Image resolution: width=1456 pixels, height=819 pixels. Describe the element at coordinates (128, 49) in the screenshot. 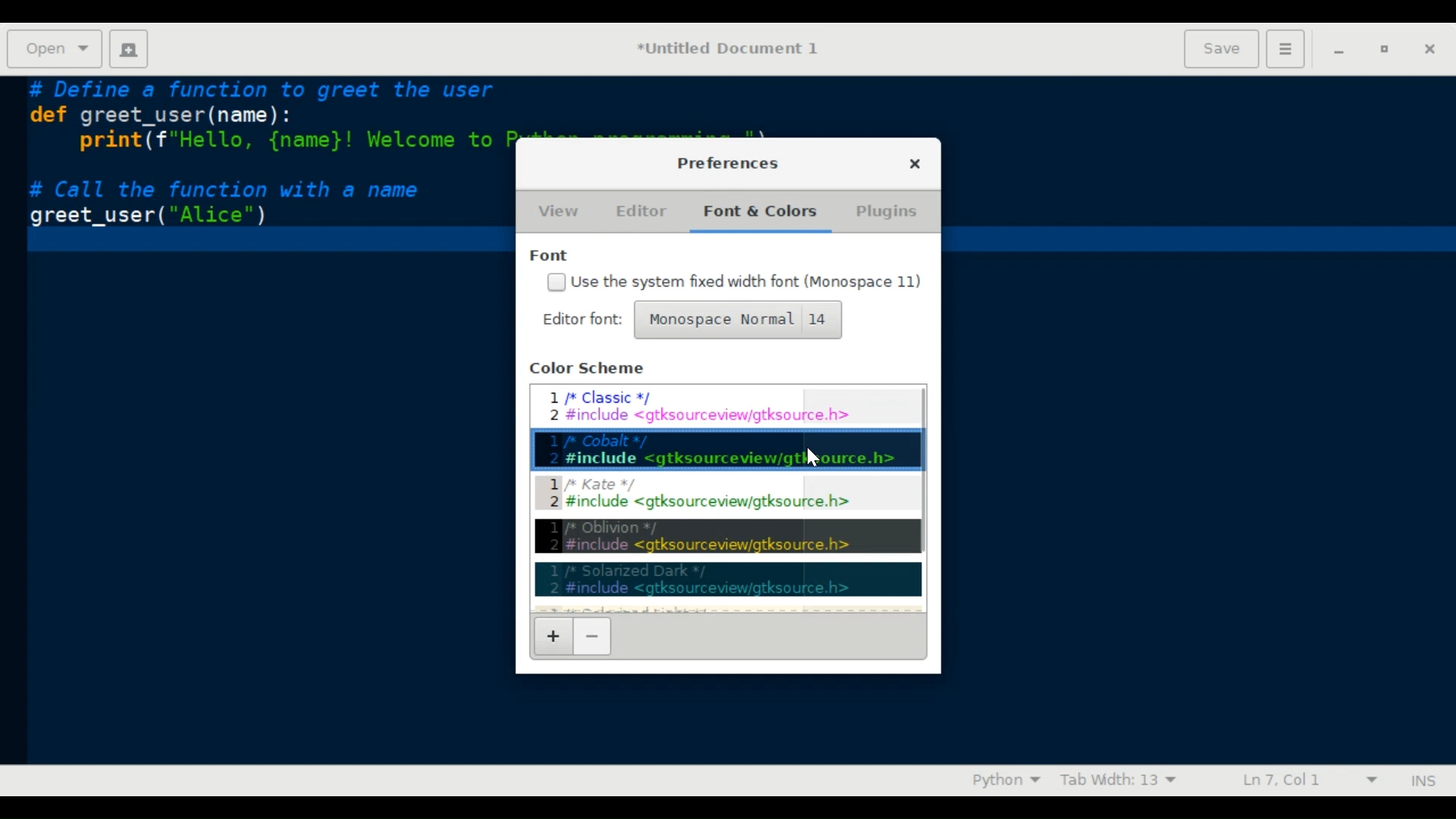

I see `Create new document` at that location.